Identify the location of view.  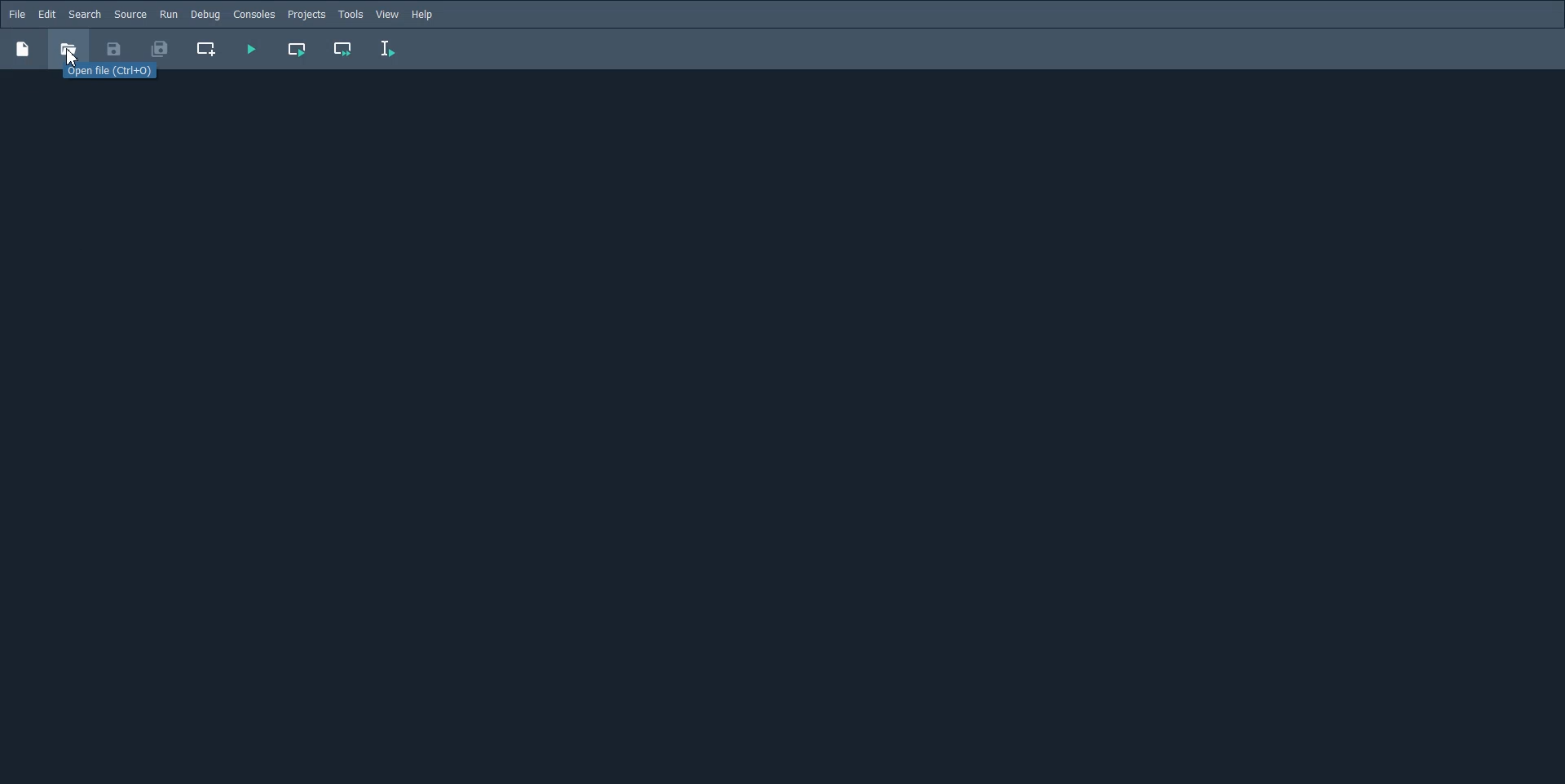
(388, 15).